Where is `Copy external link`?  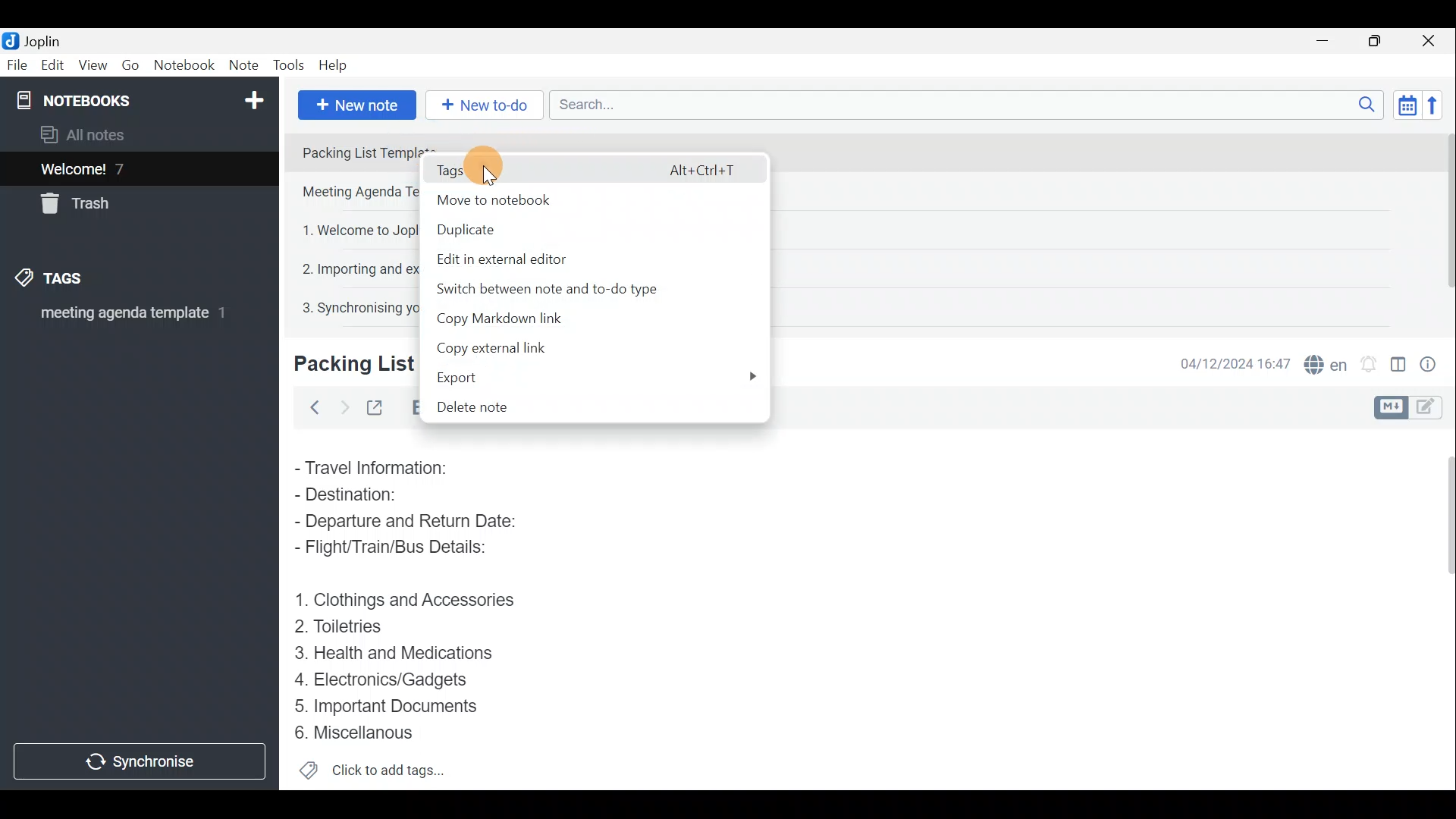
Copy external link is located at coordinates (503, 346).